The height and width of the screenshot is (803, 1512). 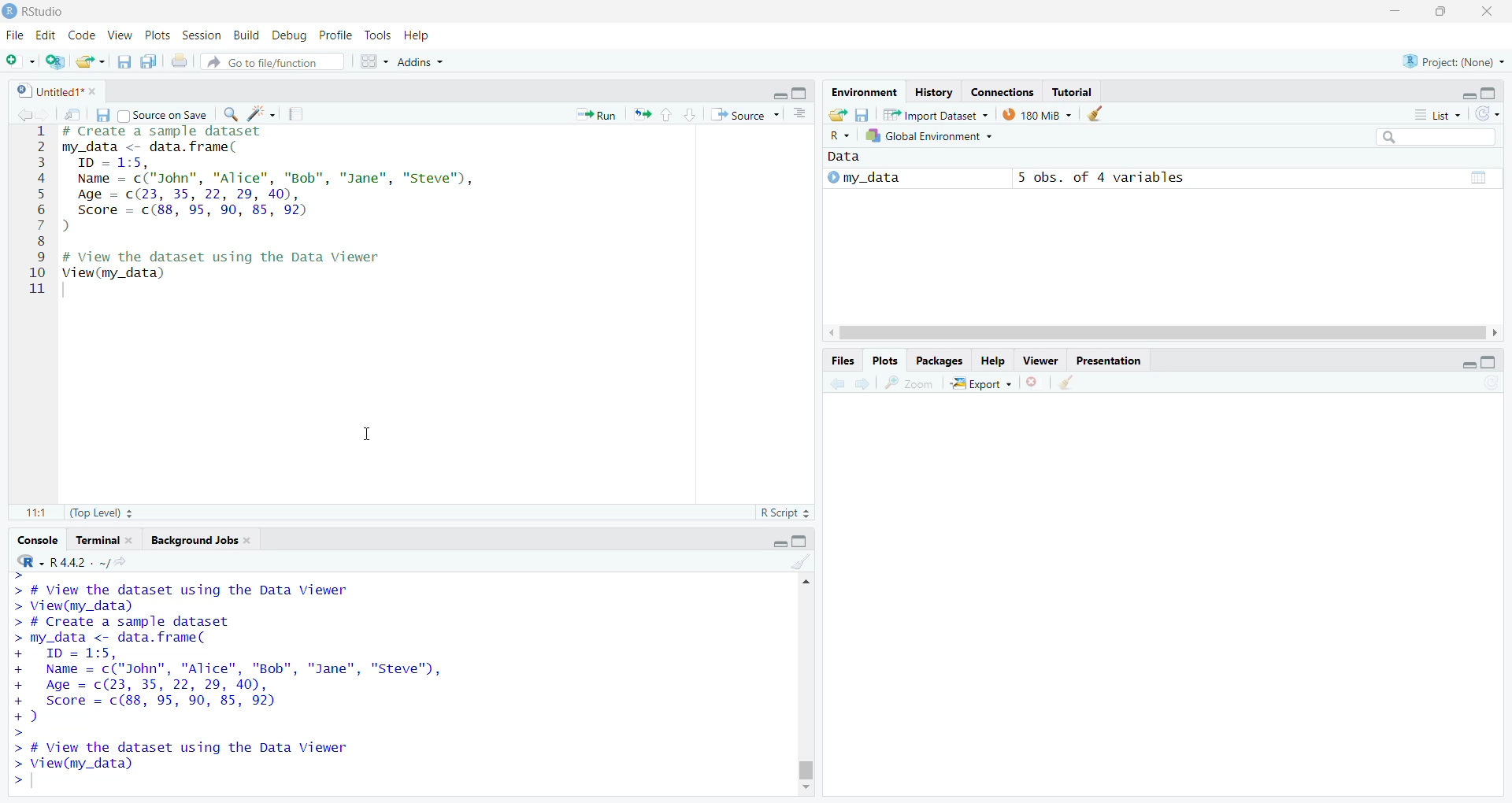 What do you see at coordinates (691, 117) in the screenshot?
I see `Page down` at bounding box center [691, 117].